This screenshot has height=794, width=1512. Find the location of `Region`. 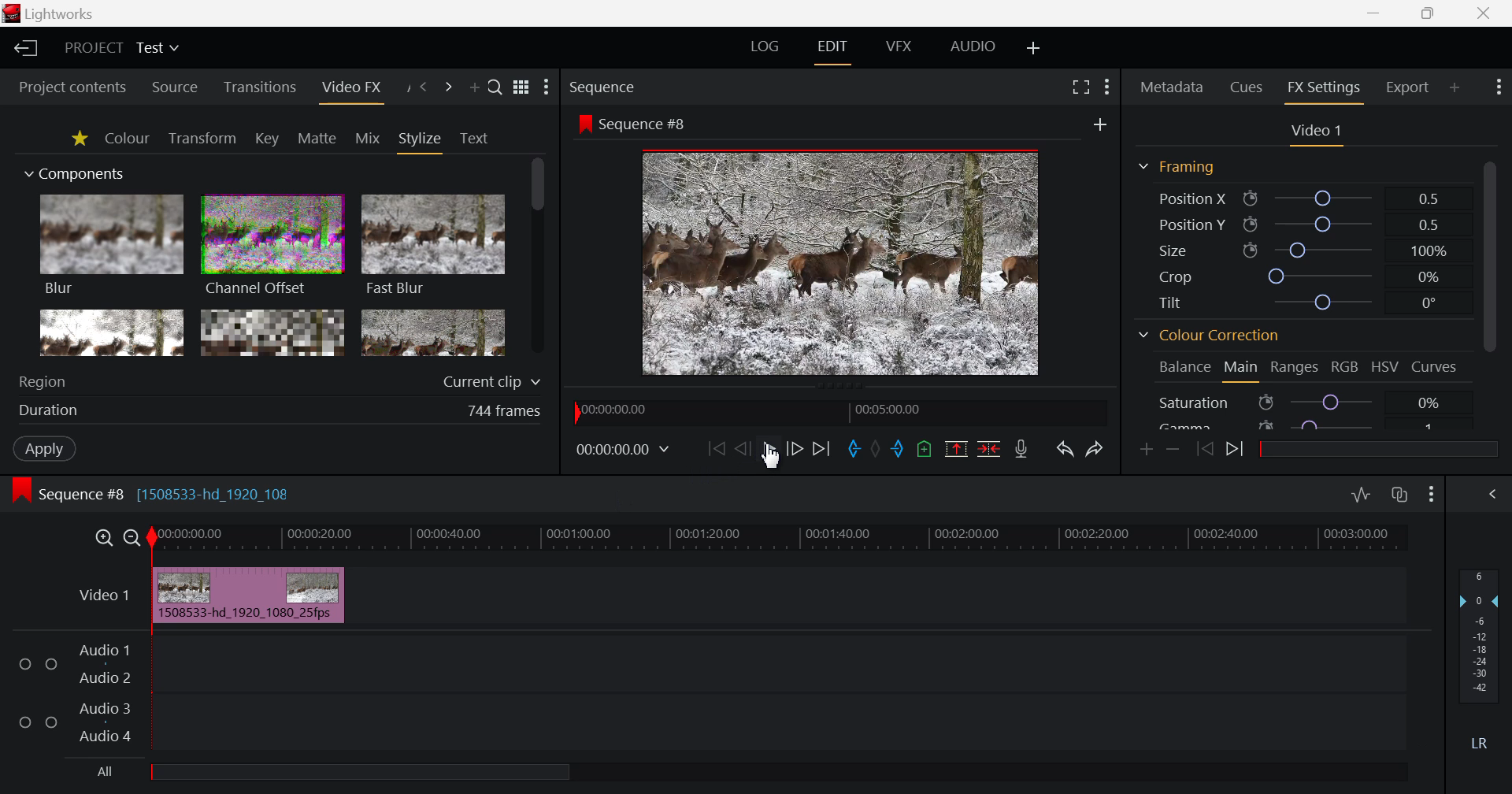

Region is located at coordinates (280, 380).